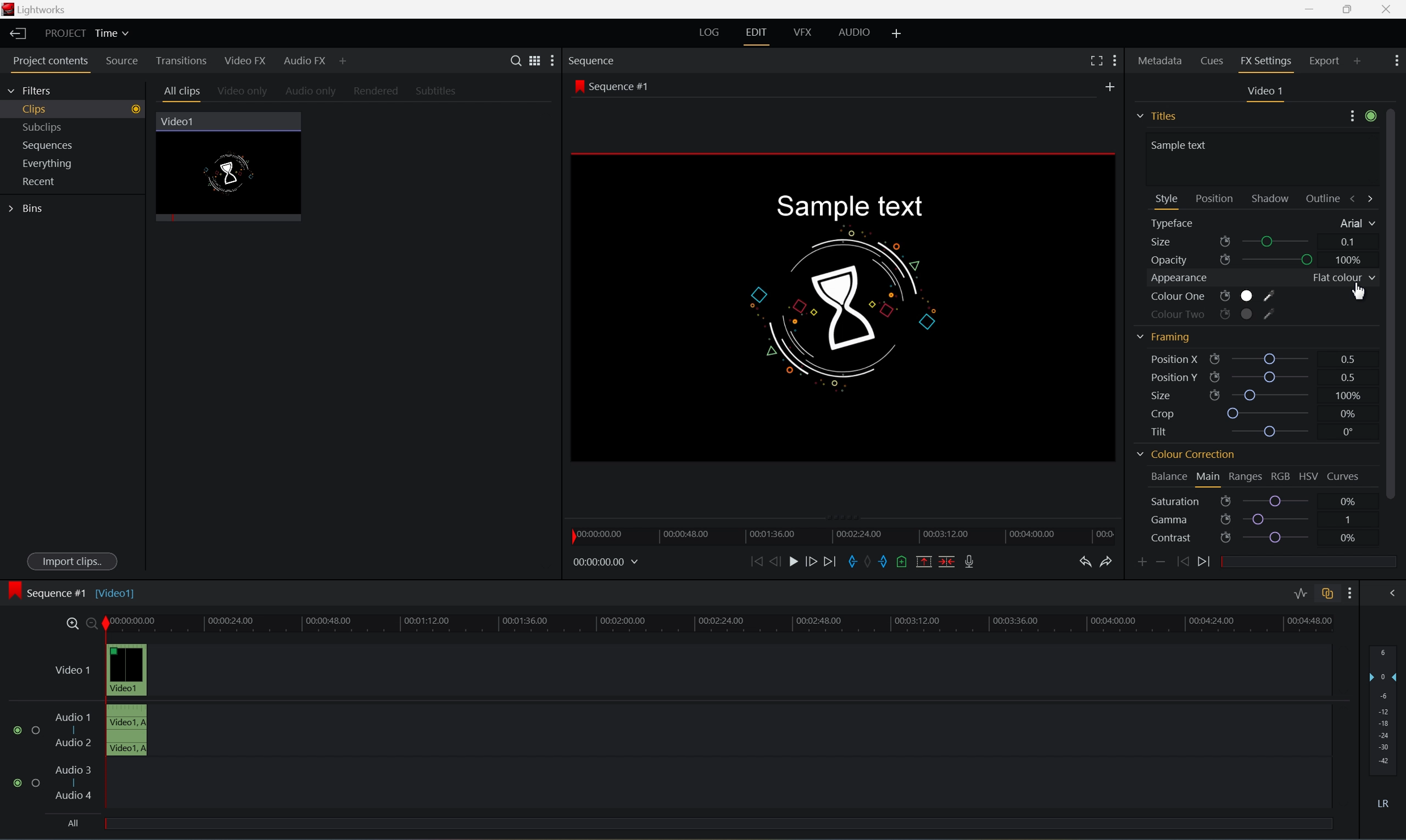 The height and width of the screenshot is (840, 1406). Describe the element at coordinates (1180, 279) in the screenshot. I see `appearance` at that location.